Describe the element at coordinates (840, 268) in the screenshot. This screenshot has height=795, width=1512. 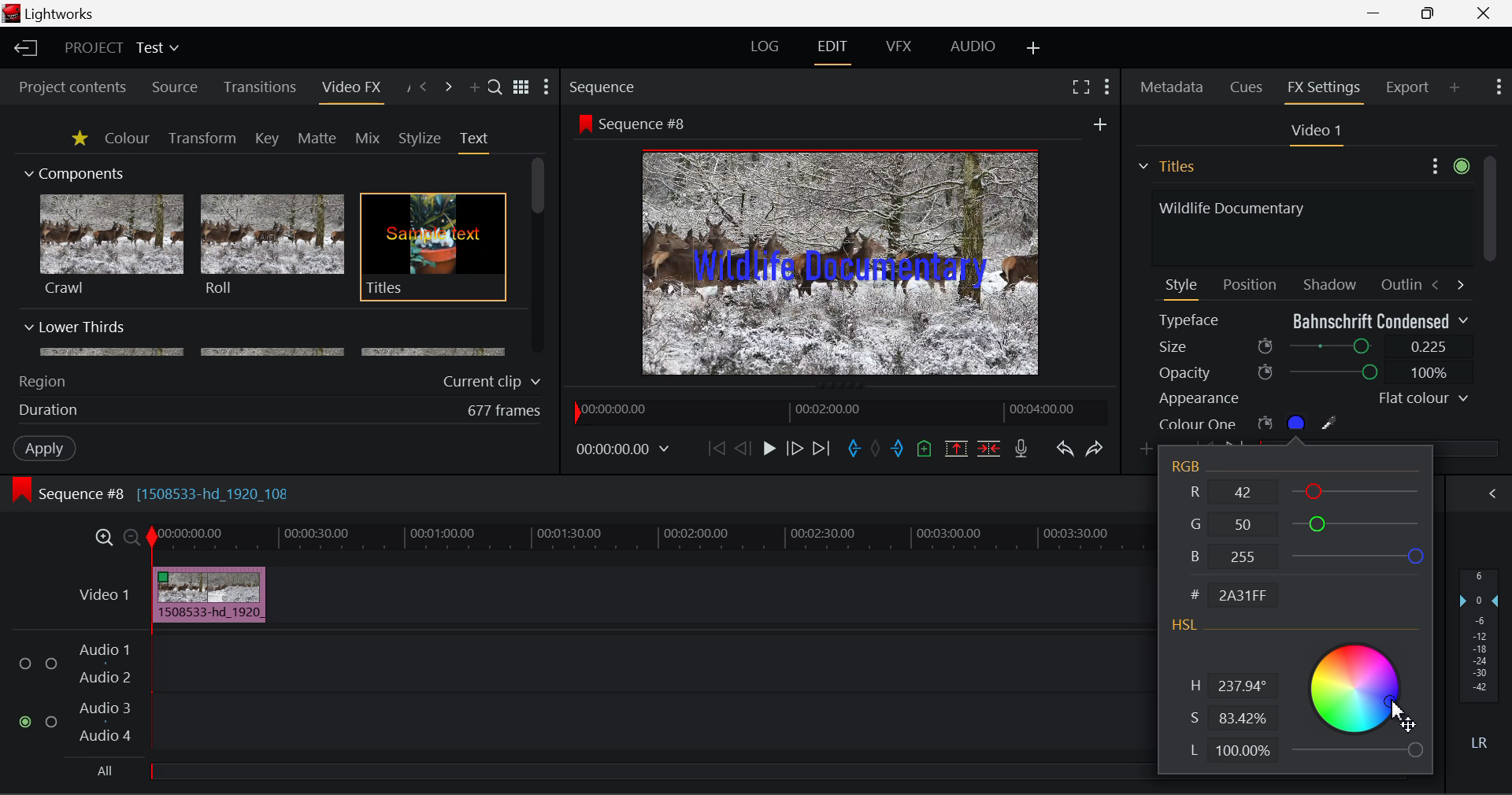
I see `Text Color Changed` at that location.